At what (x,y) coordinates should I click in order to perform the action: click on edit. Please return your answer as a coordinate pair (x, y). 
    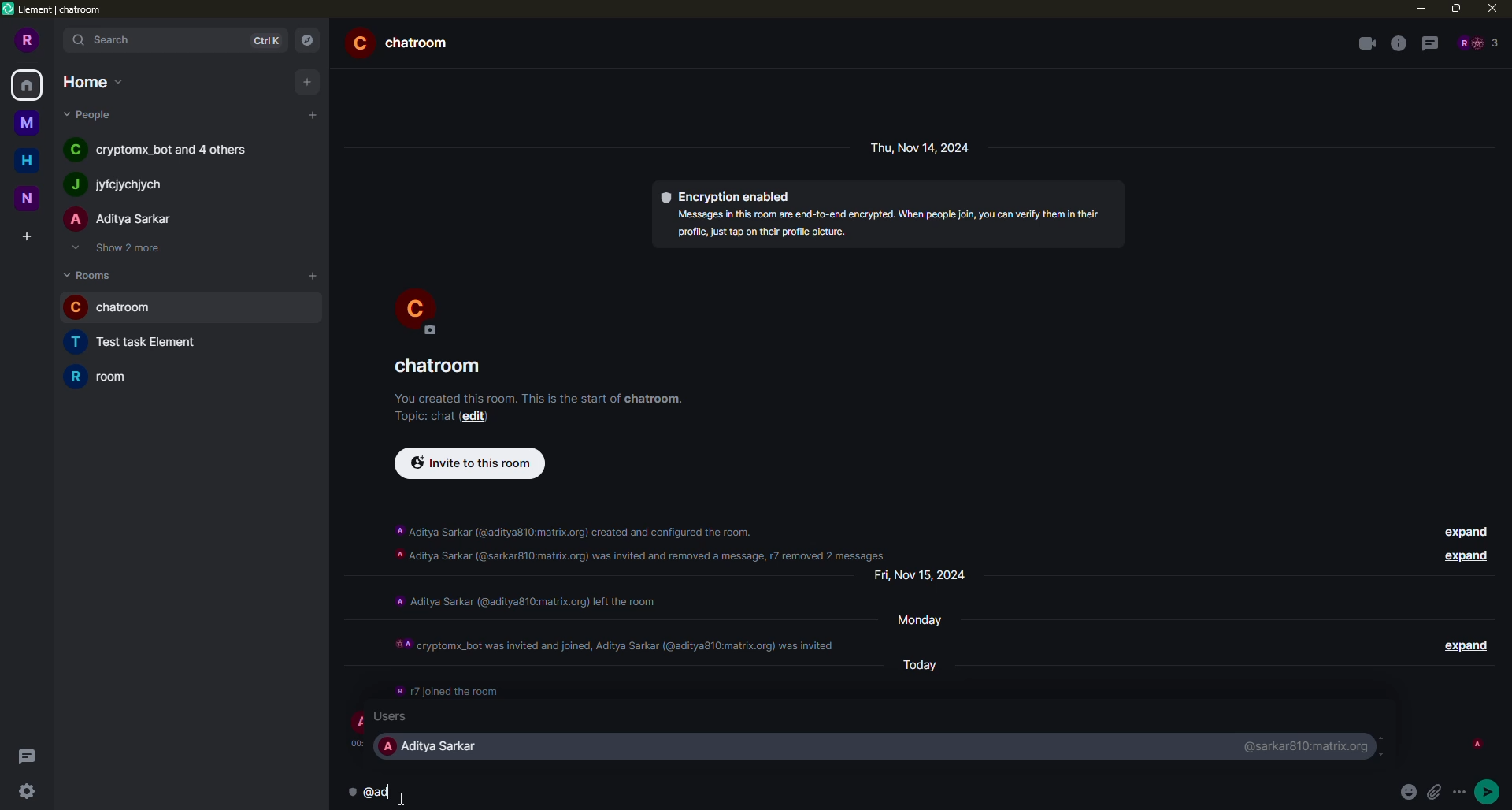
    Looking at the image, I should click on (480, 417).